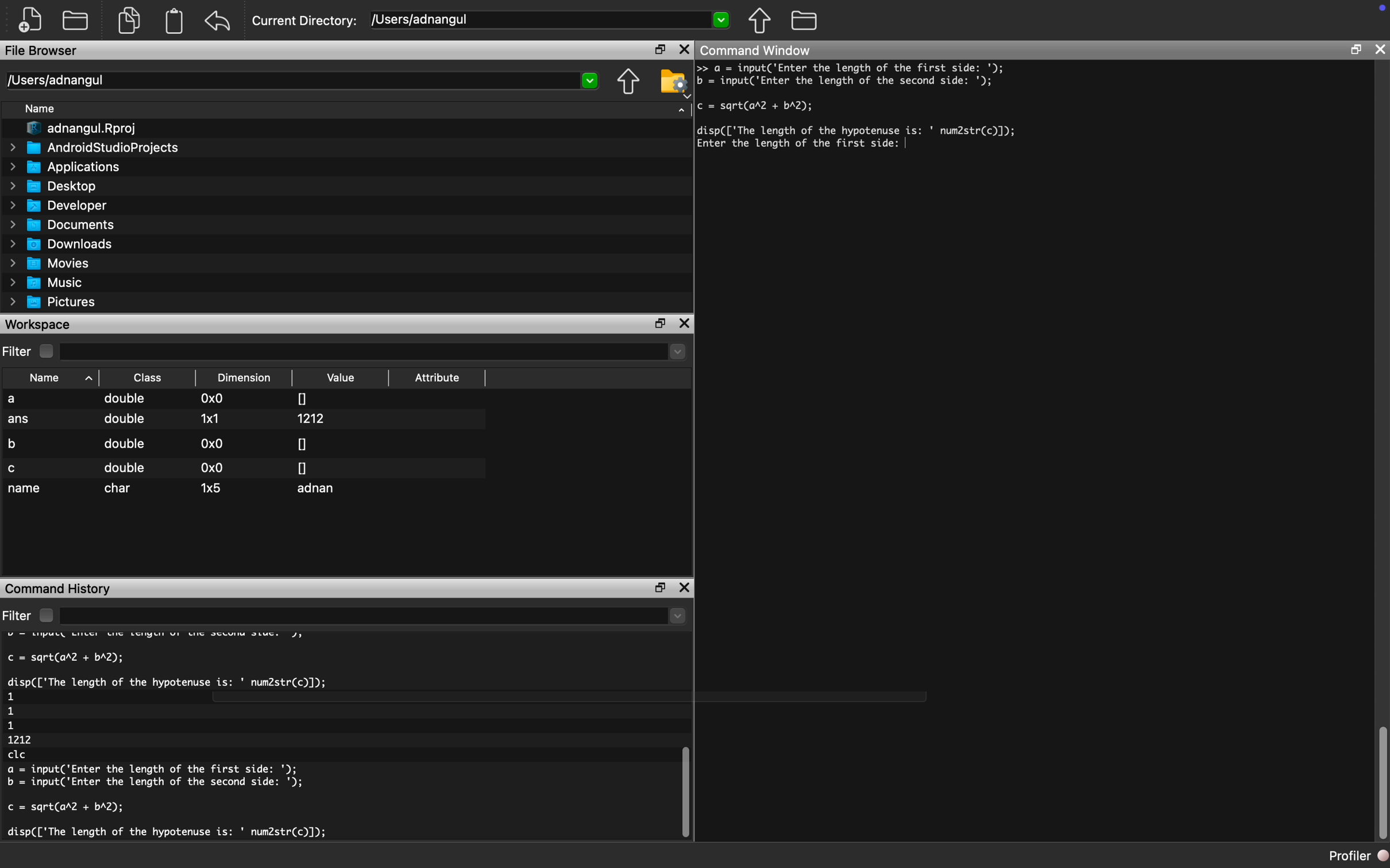 This screenshot has height=868, width=1390. I want to click on Current Directory:, so click(306, 22).